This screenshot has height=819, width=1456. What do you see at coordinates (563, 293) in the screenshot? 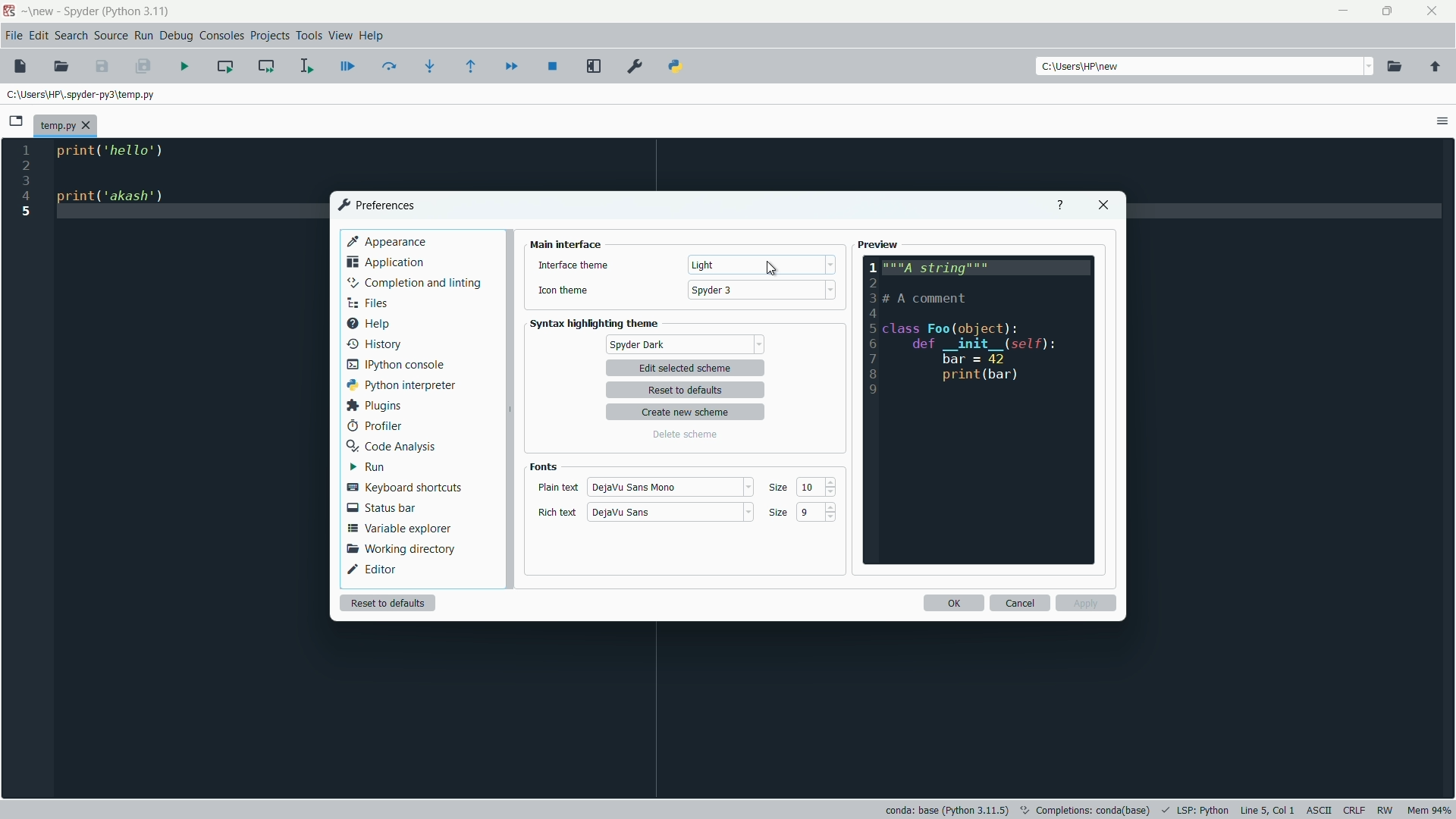
I see `icon theme` at bounding box center [563, 293].